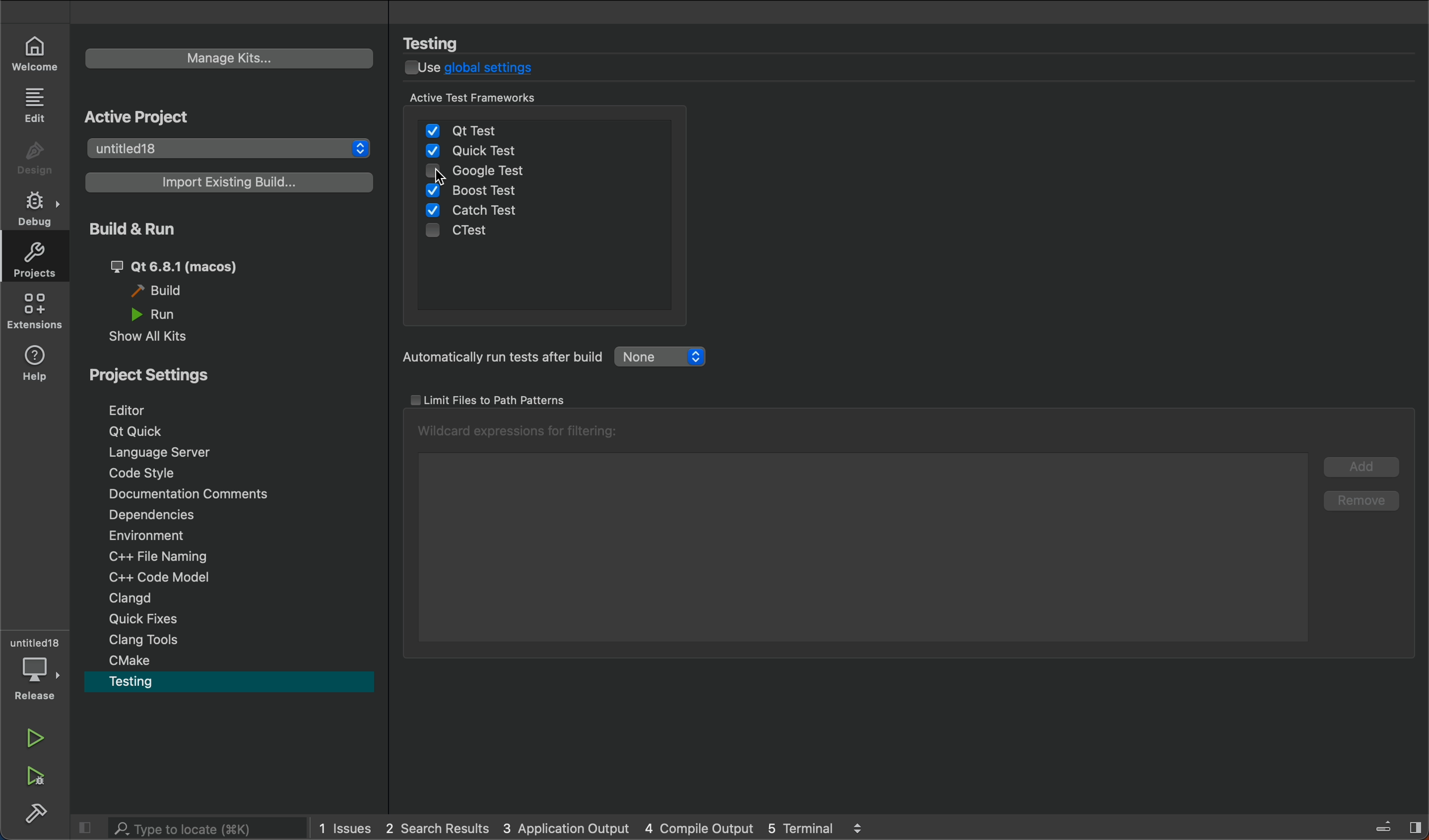  I want to click on qt test, so click(542, 126).